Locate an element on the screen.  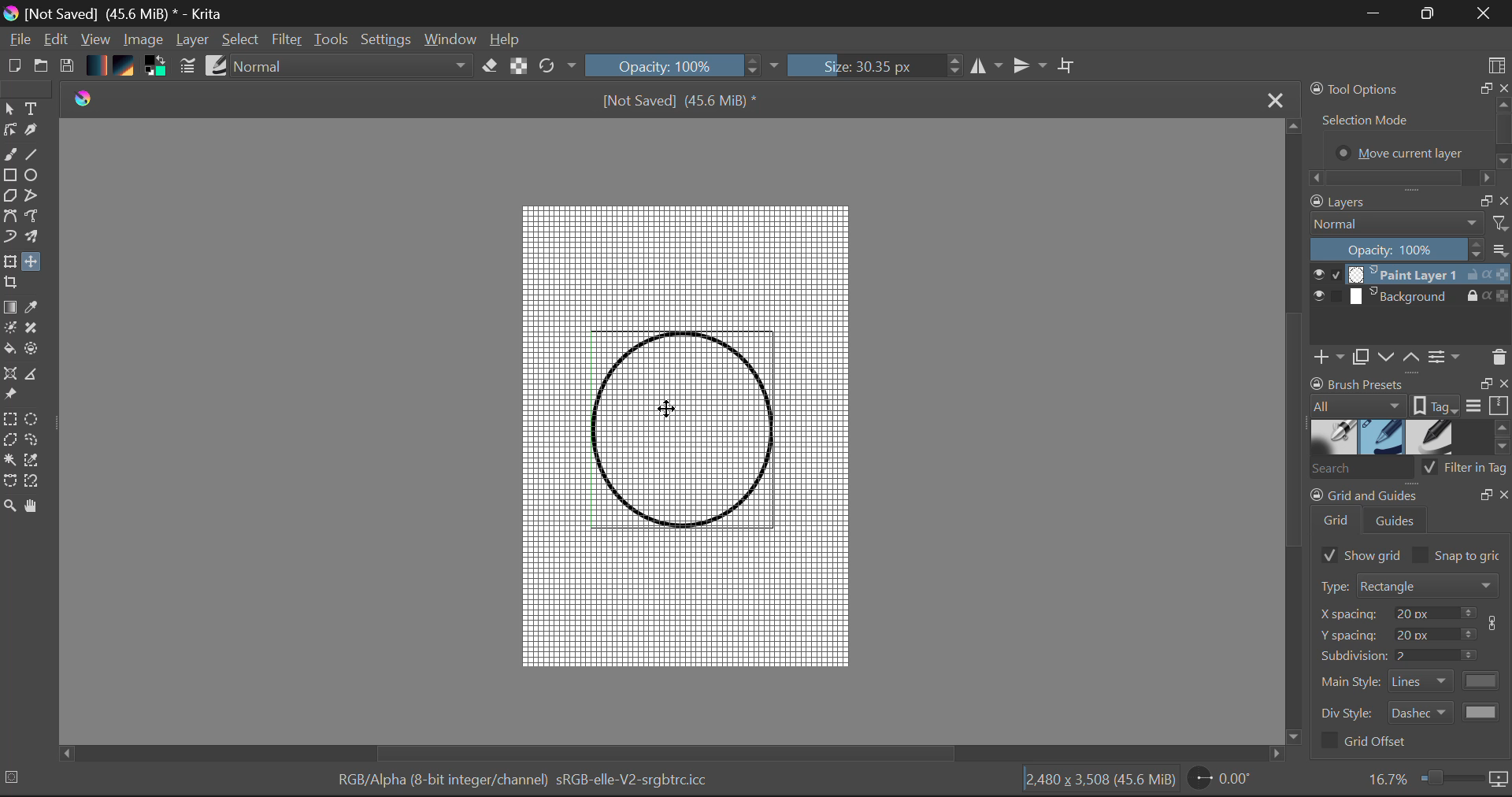
Edit is located at coordinates (57, 40).